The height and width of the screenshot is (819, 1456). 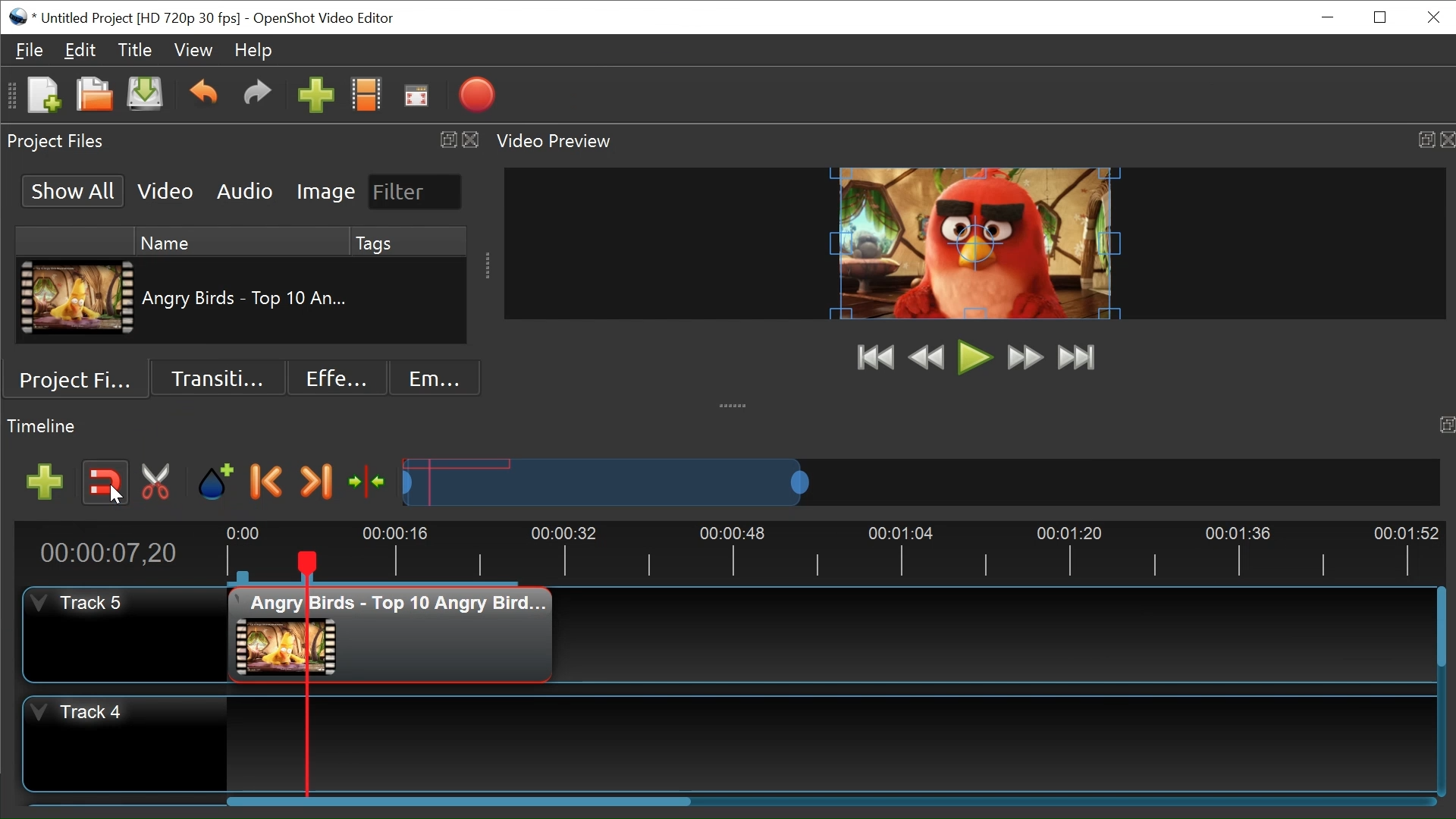 What do you see at coordinates (921, 482) in the screenshot?
I see `Zoom Slider` at bounding box center [921, 482].